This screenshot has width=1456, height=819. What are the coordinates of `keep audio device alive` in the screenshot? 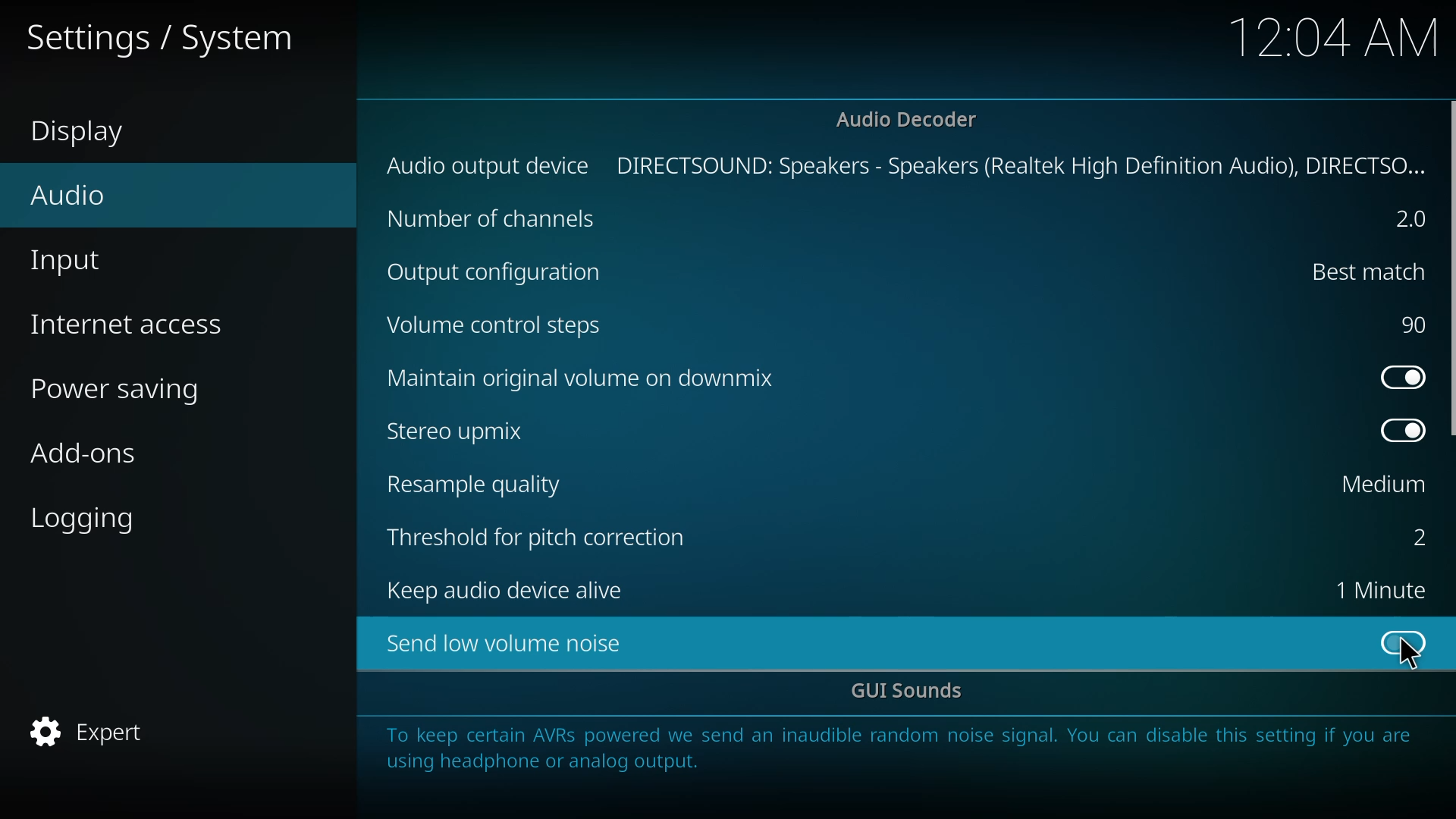 It's located at (514, 592).